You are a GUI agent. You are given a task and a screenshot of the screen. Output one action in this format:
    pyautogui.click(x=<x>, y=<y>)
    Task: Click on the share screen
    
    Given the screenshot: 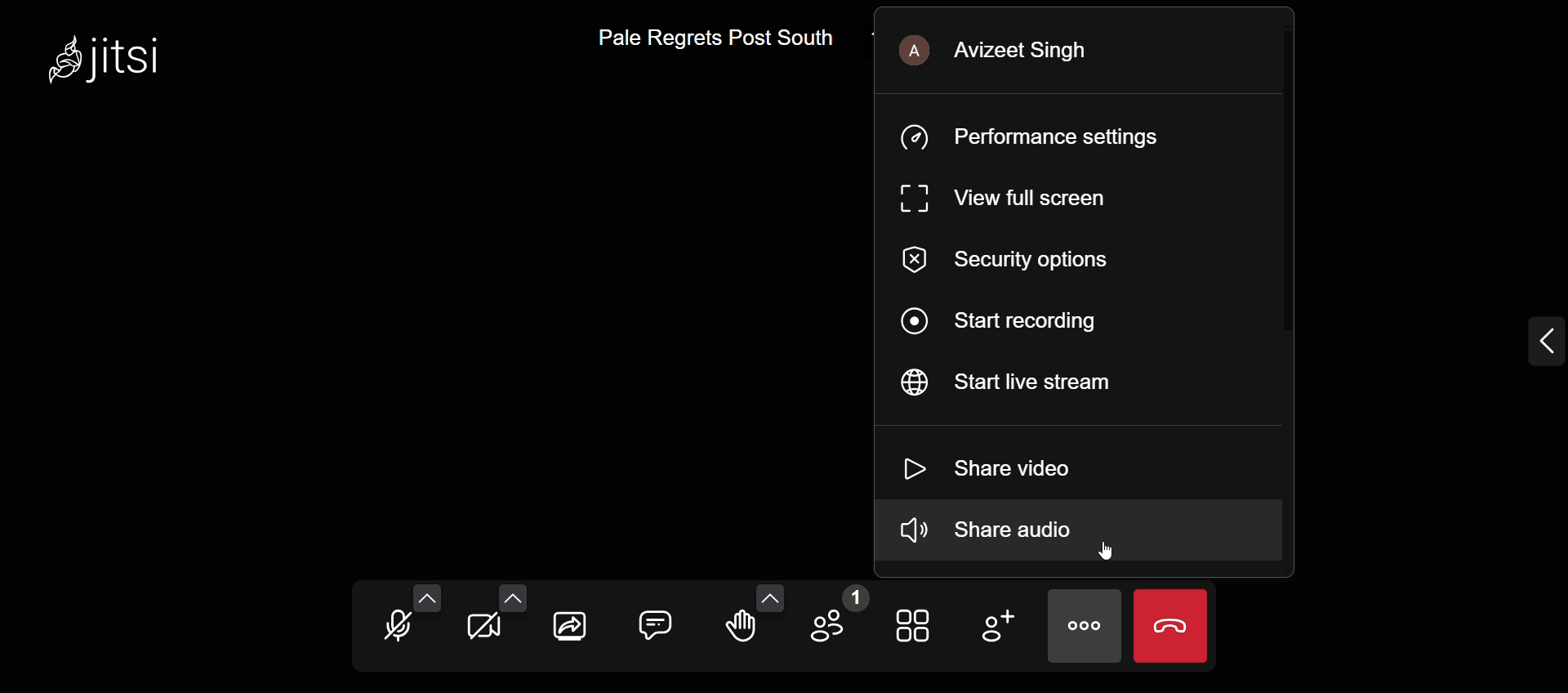 What is the action you would take?
    pyautogui.click(x=568, y=630)
    